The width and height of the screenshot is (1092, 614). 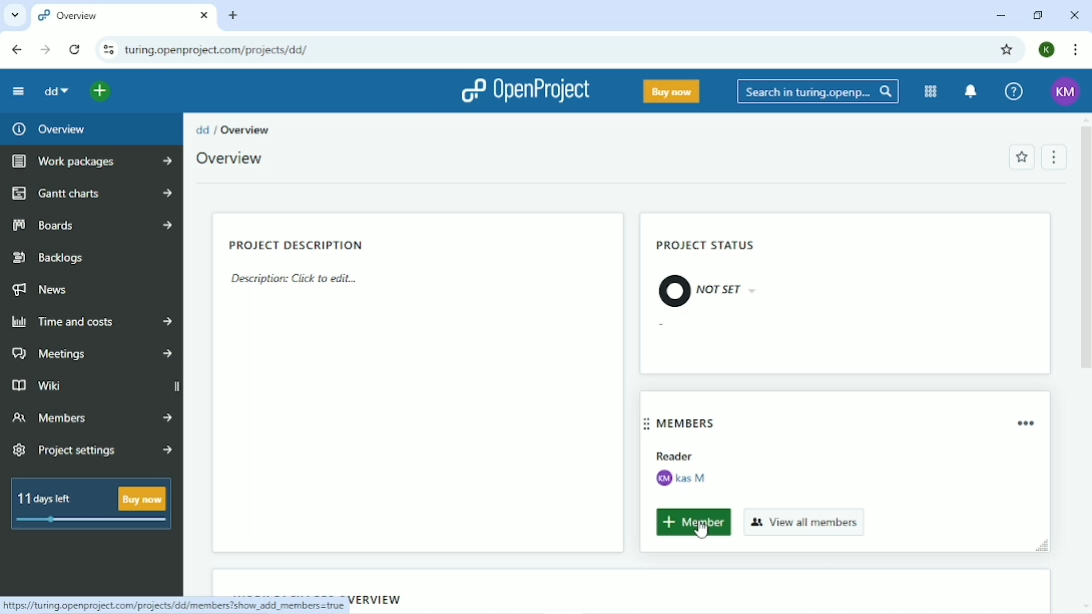 What do you see at coordinates (74, 48) in the screenshot?
I see `Reload this page` at bounding box center [74, 48].